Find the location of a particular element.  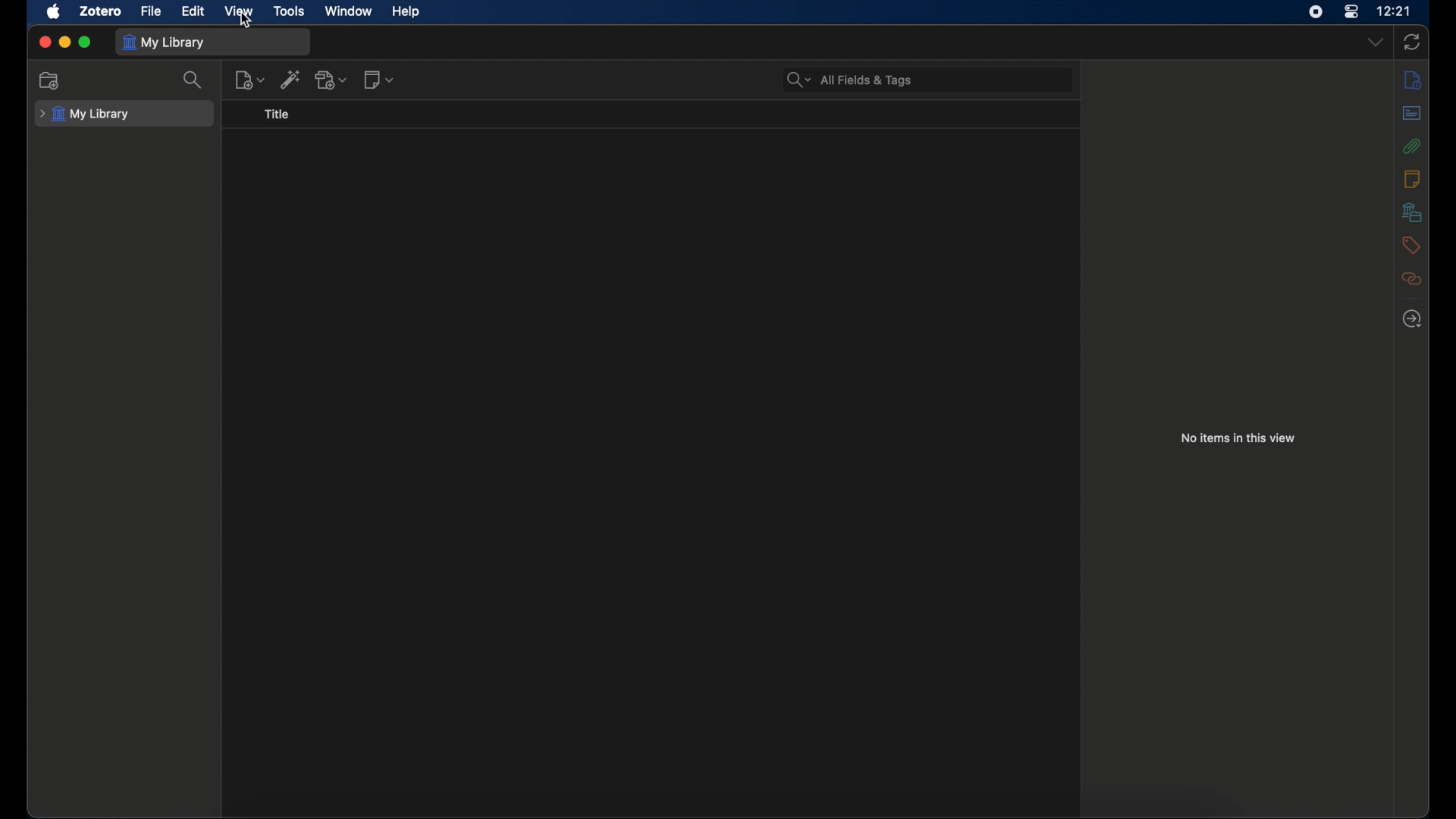

maximize is located at coordinates (86, 42).